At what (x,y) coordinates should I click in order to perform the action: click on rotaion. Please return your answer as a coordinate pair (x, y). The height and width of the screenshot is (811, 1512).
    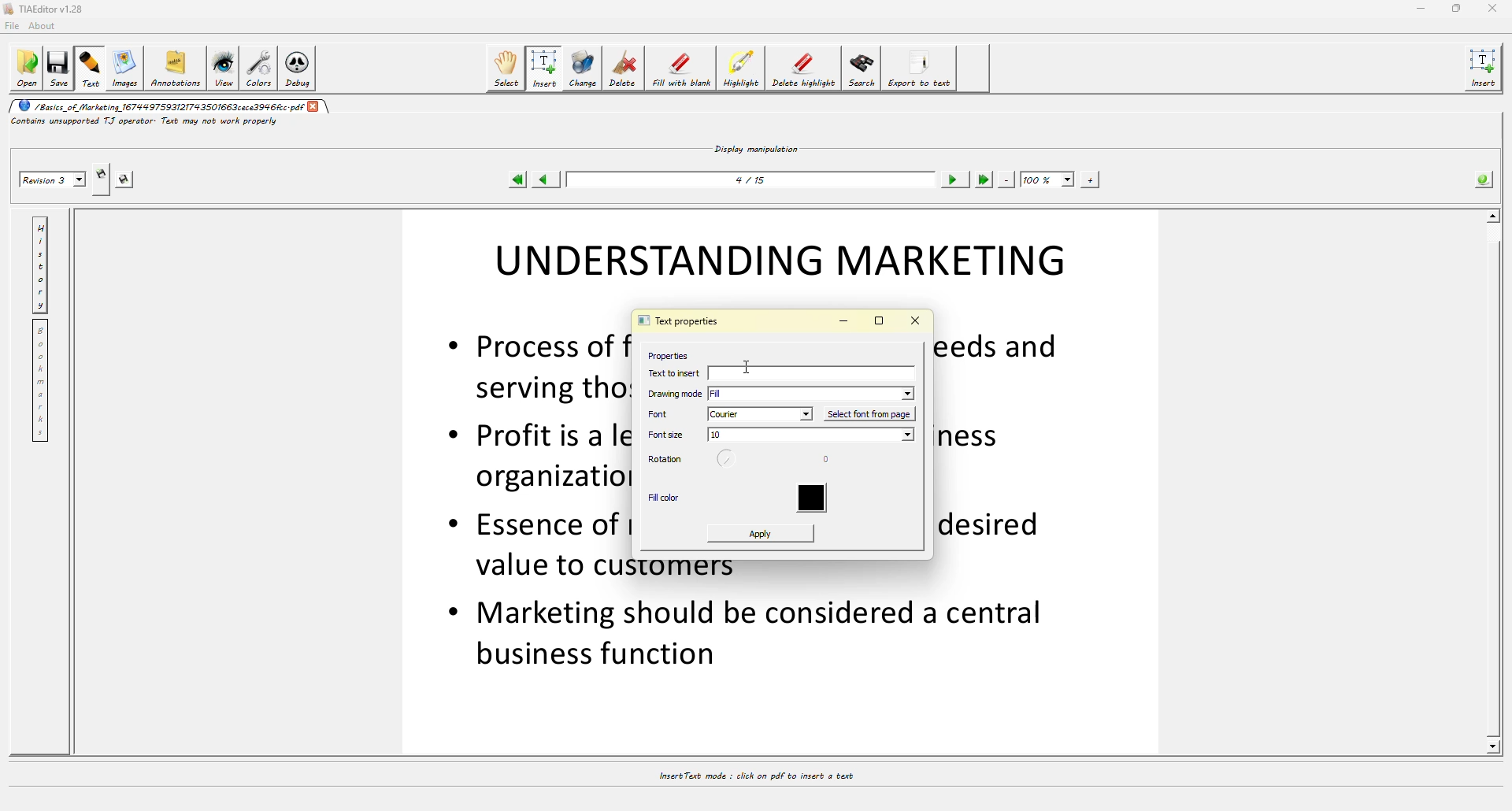
    Looking at the image, I should click on (730, 461).